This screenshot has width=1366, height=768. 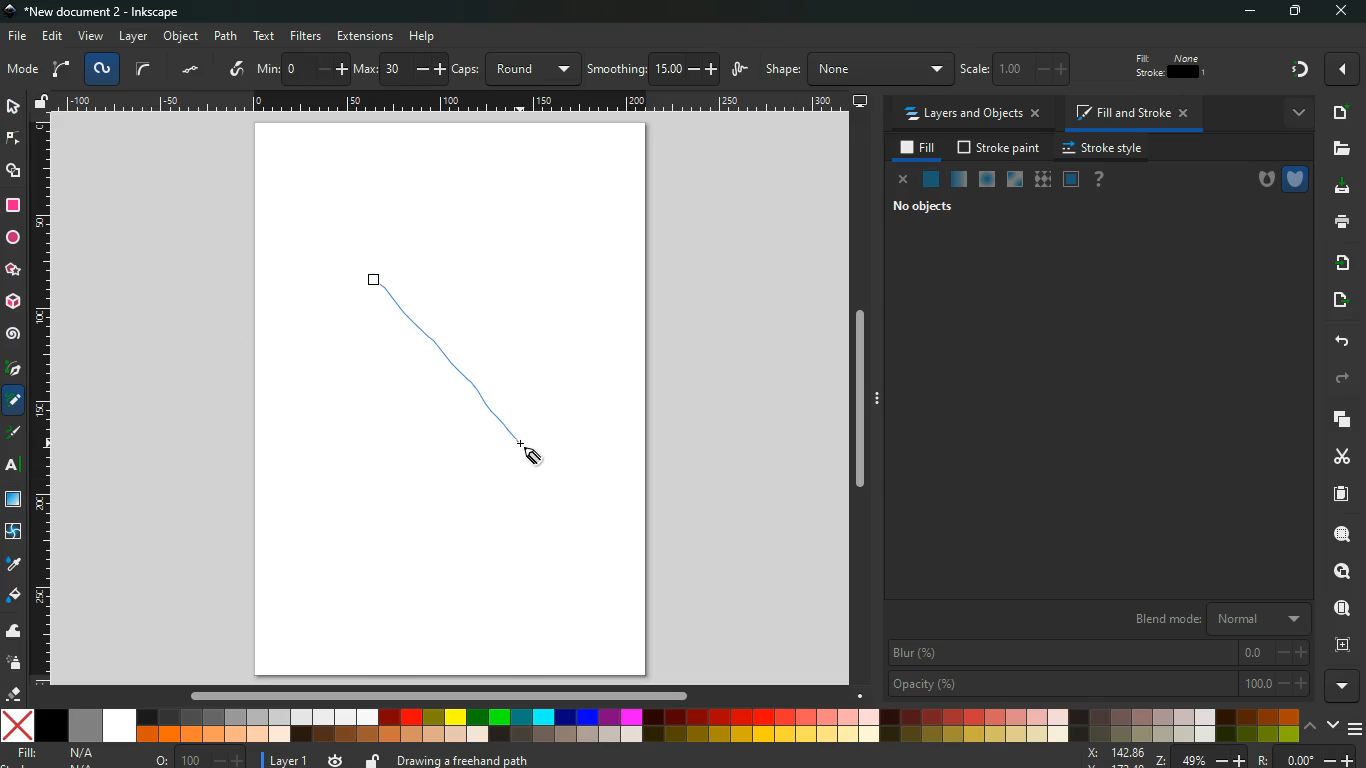 I want to click on print, so click(x=1336, y=221).